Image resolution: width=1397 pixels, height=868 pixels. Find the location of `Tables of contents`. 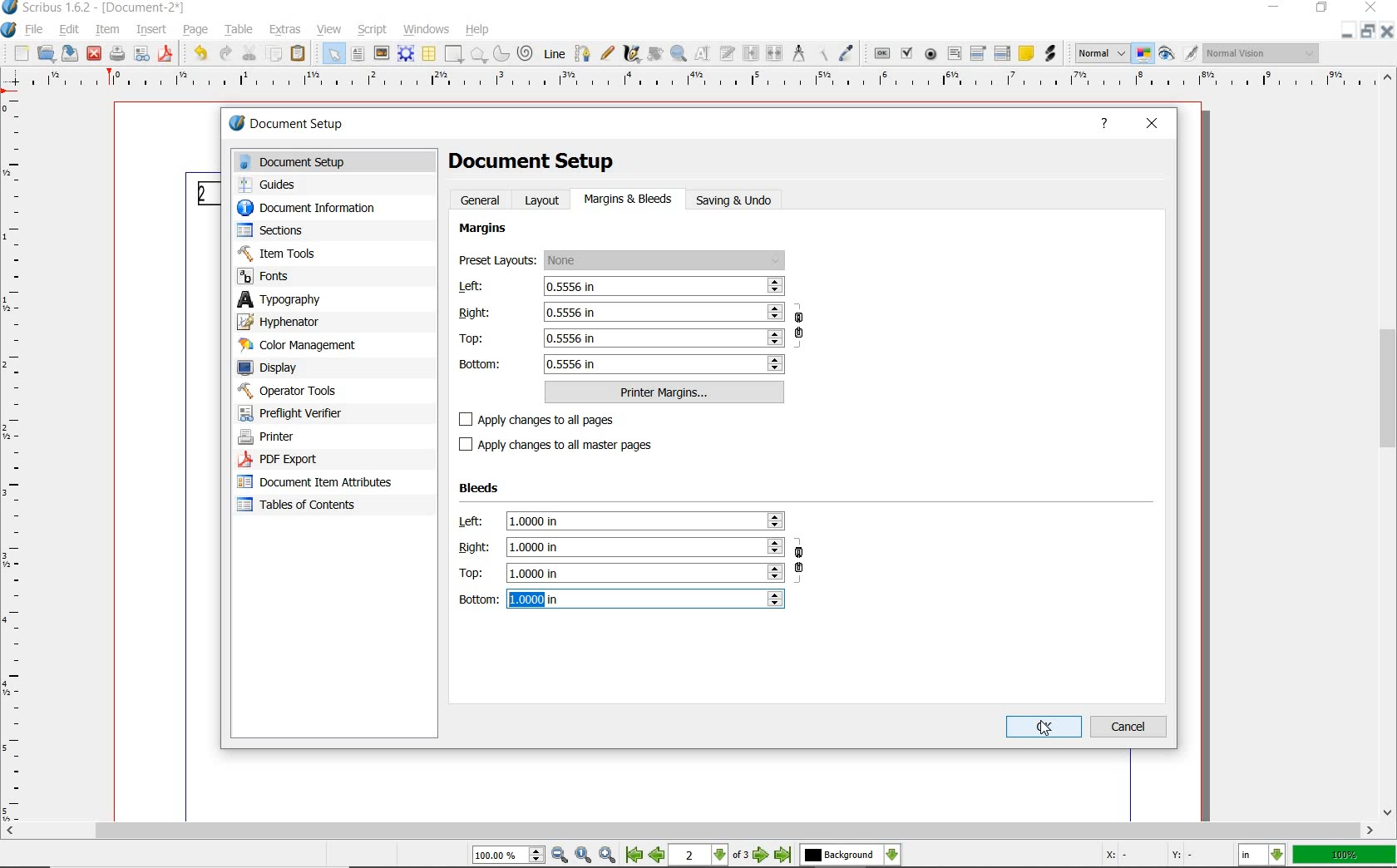

Tables of contents is located at coordinates (308, 506).